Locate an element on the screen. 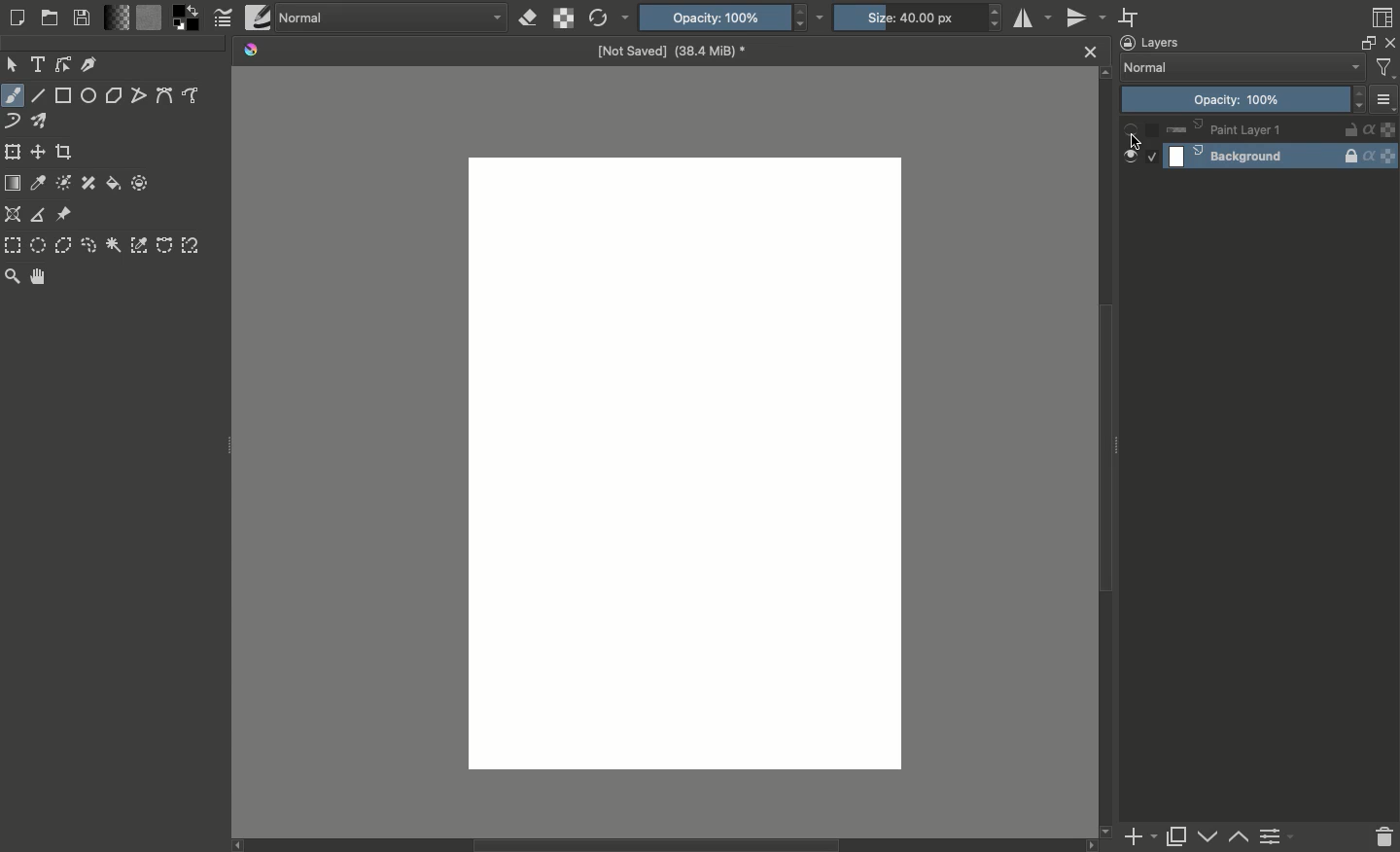 The height and width of the screenshot is (852, 1400). Freehand selection tool is located at coordinates (92, 247).